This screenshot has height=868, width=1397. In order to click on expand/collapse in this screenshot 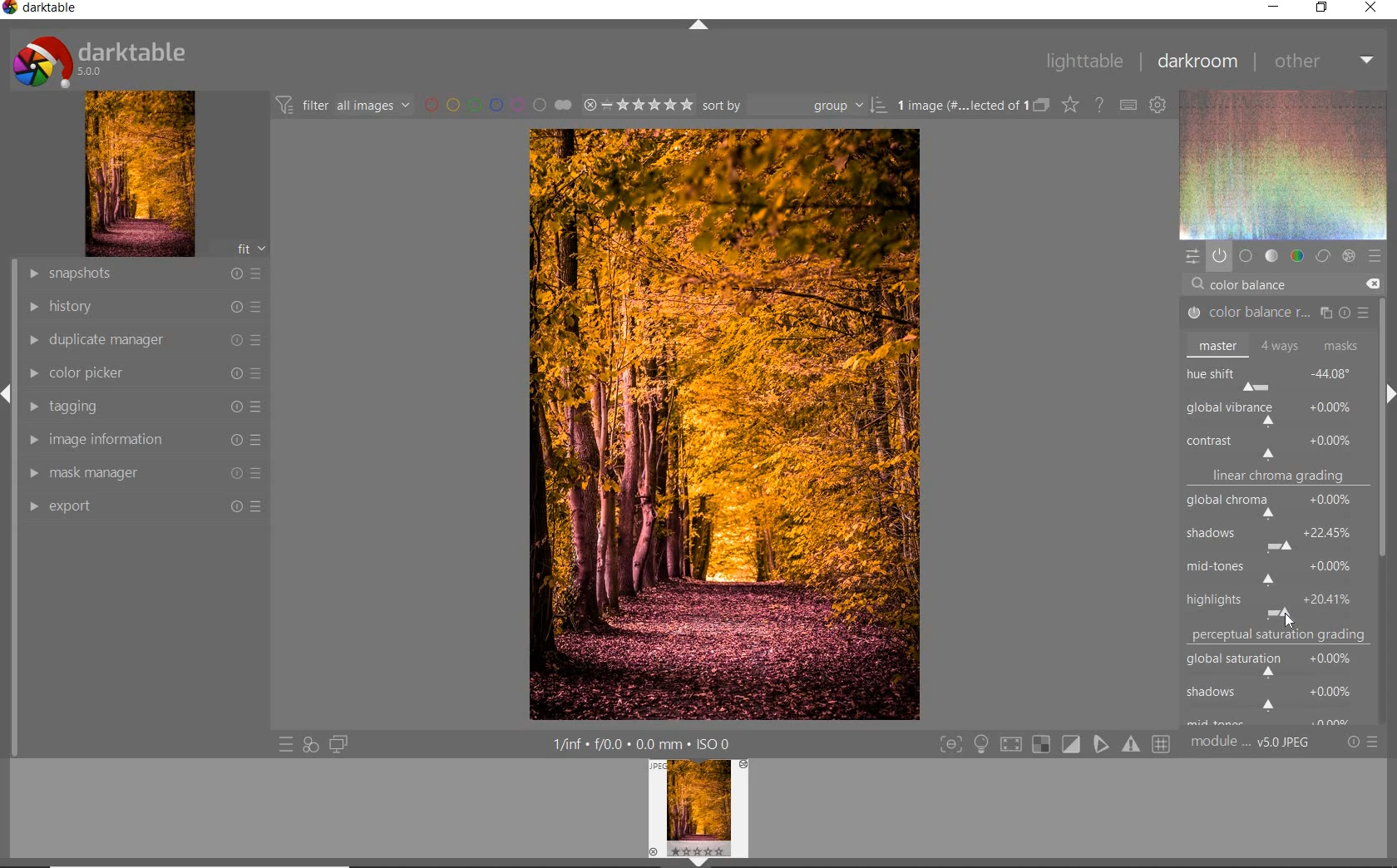, I will do `click(696, 25)`.